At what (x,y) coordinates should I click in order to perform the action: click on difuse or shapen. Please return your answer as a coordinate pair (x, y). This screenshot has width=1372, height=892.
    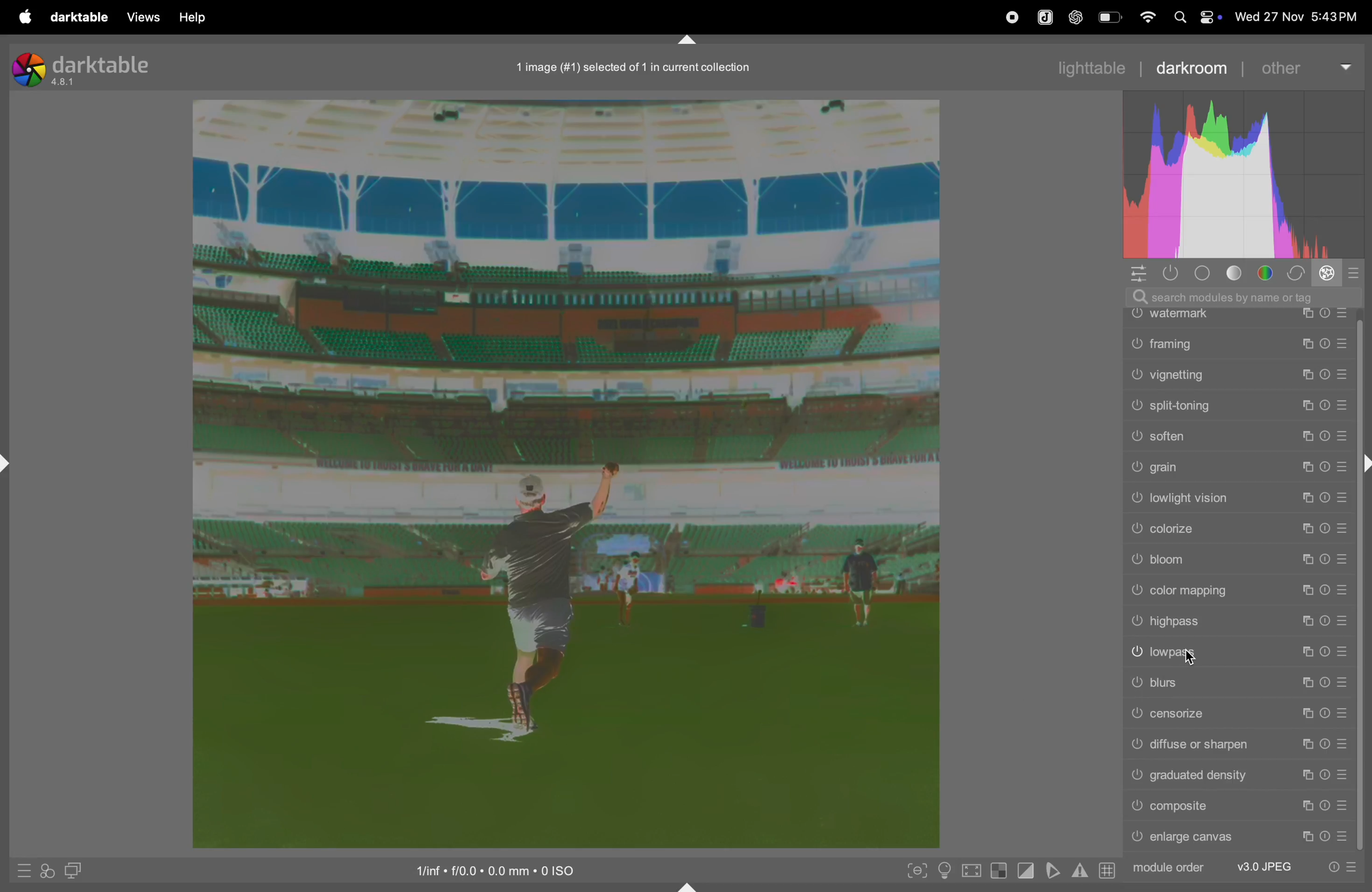
    Looking at the image, I should click on (1238, 746).